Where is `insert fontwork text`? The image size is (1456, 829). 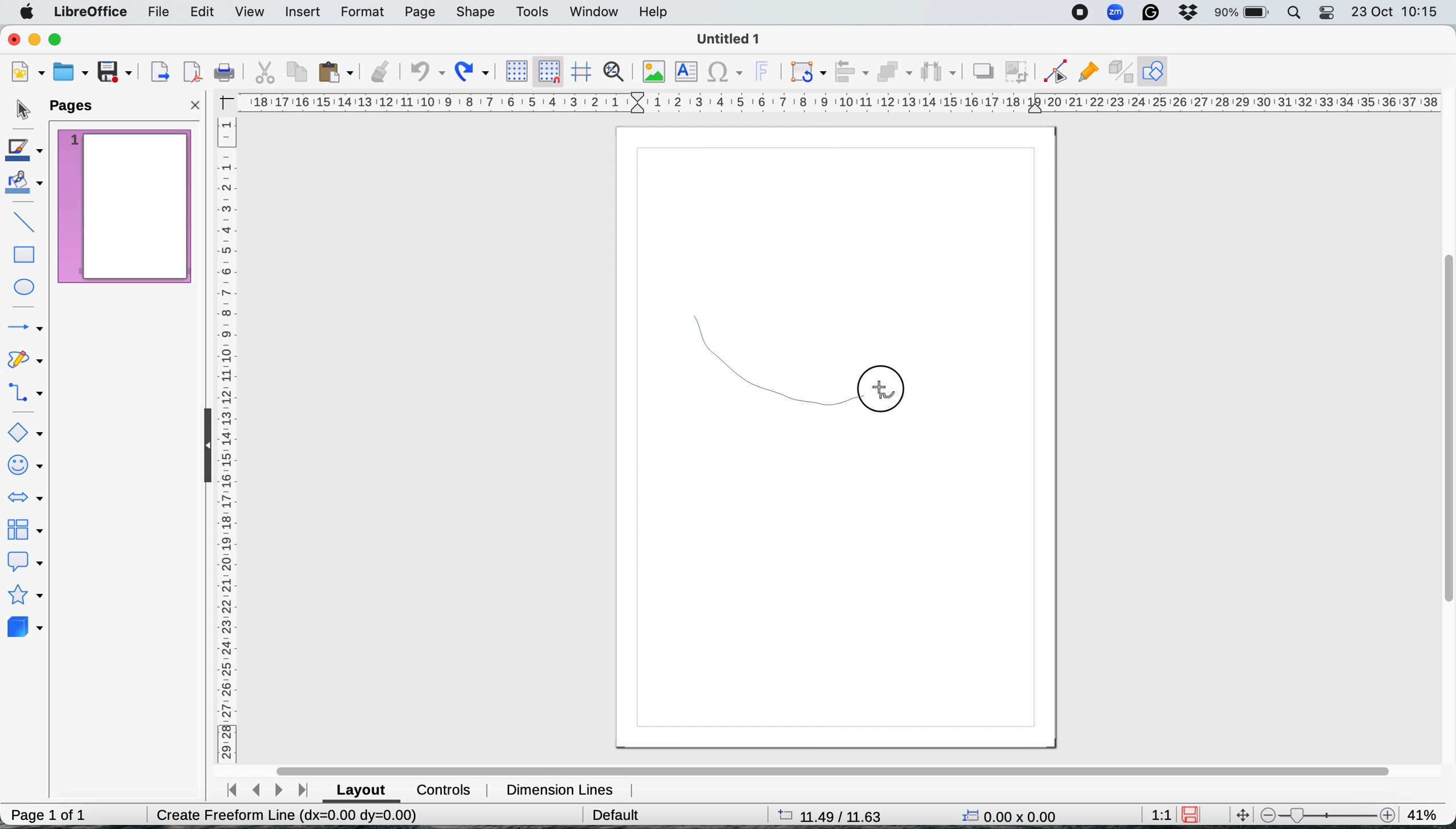 insert fontwork text is located at coordinates (766, 72).